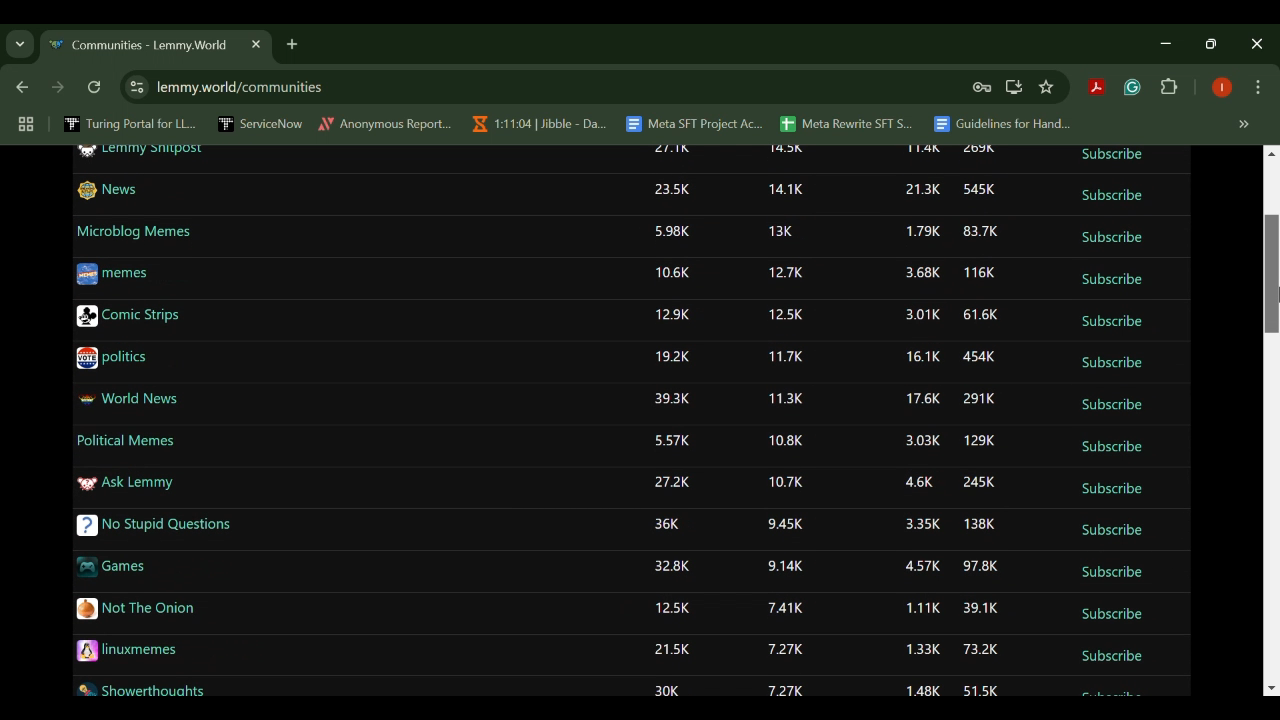  Describe the element at coordinates (127, 399) in the screenshot. I see `World News` at that location.